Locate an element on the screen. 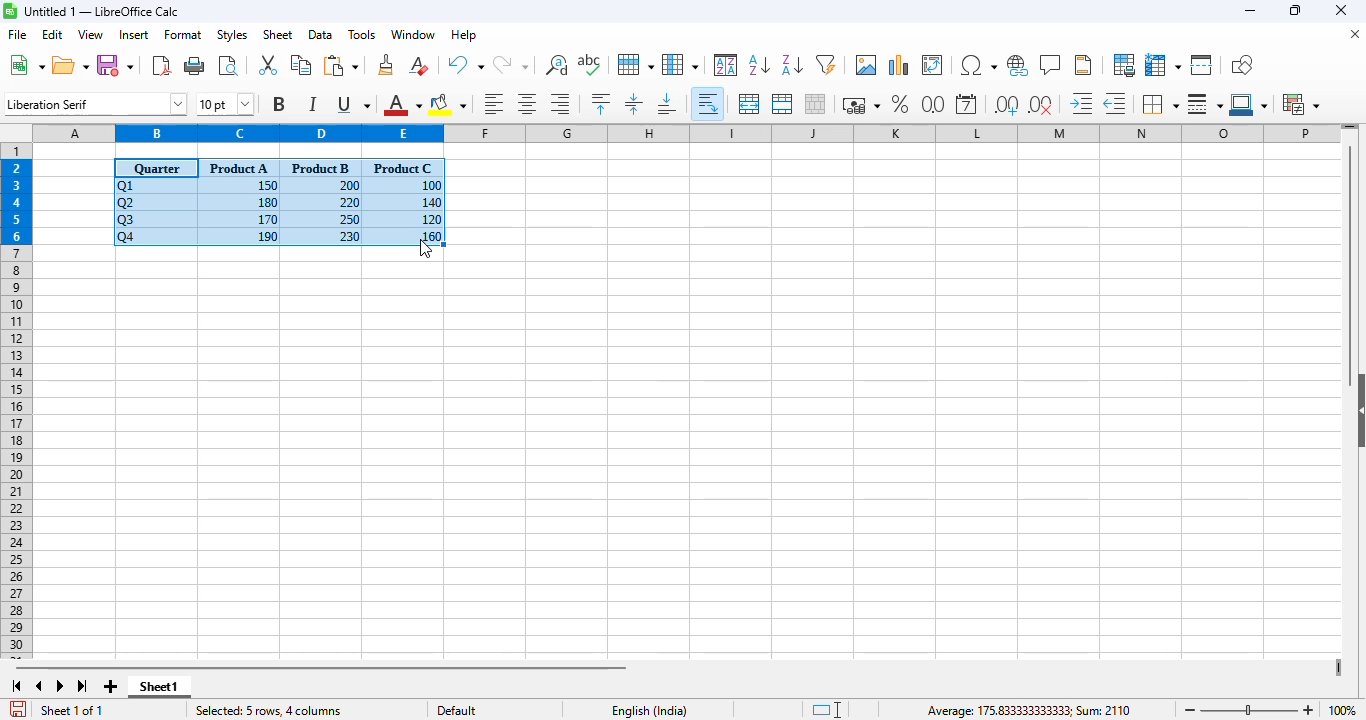 Image resolution: width=1366 pixels, height=720 pixels. scroll to last sheet is located at coordinates (83, 687).